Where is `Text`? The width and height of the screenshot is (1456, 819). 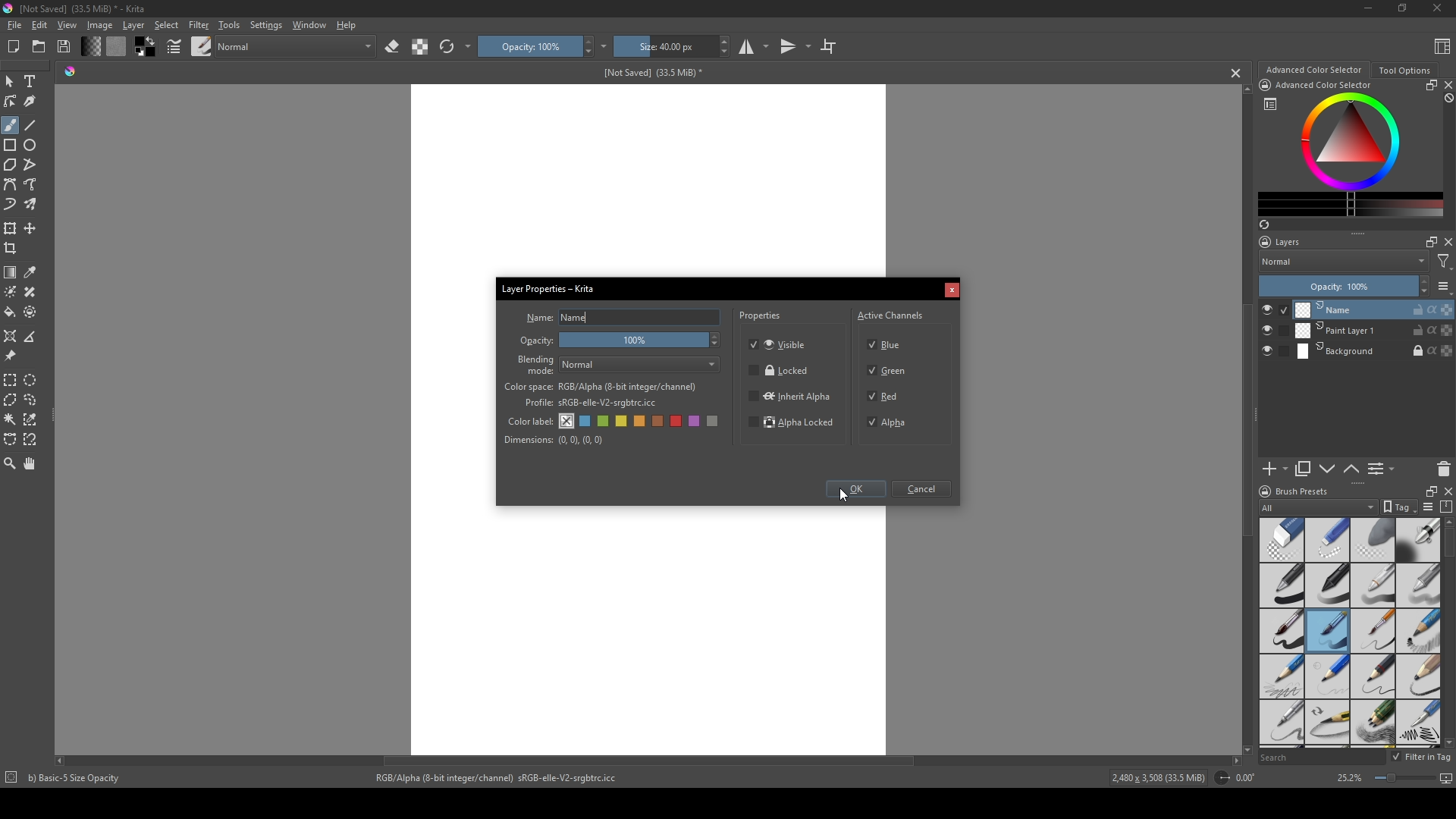
Text is located at coordinates (33, 83).